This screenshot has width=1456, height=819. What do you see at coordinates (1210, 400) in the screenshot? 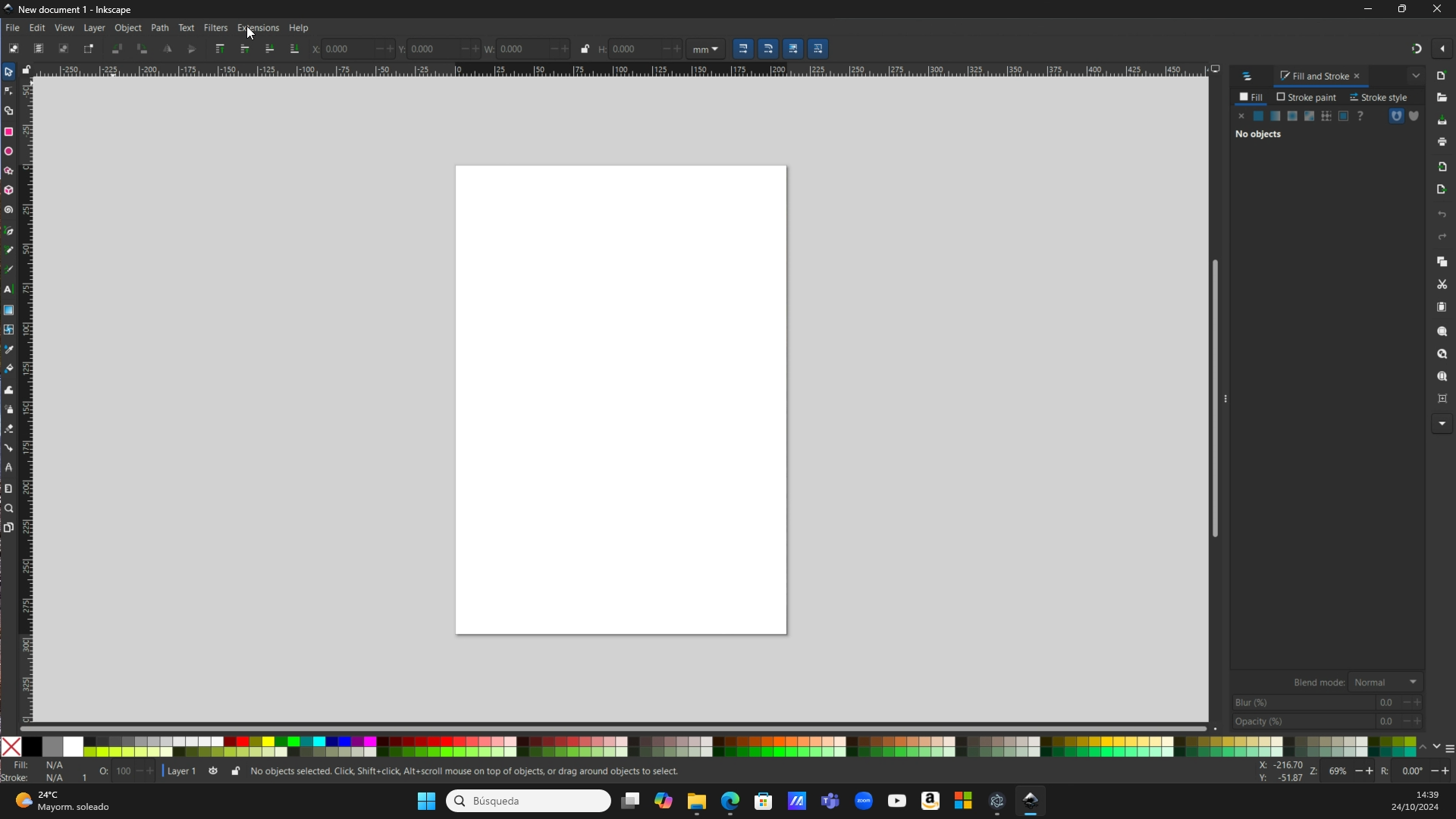
I see `vertical scroll bar` at bounding box center [1210, 400].